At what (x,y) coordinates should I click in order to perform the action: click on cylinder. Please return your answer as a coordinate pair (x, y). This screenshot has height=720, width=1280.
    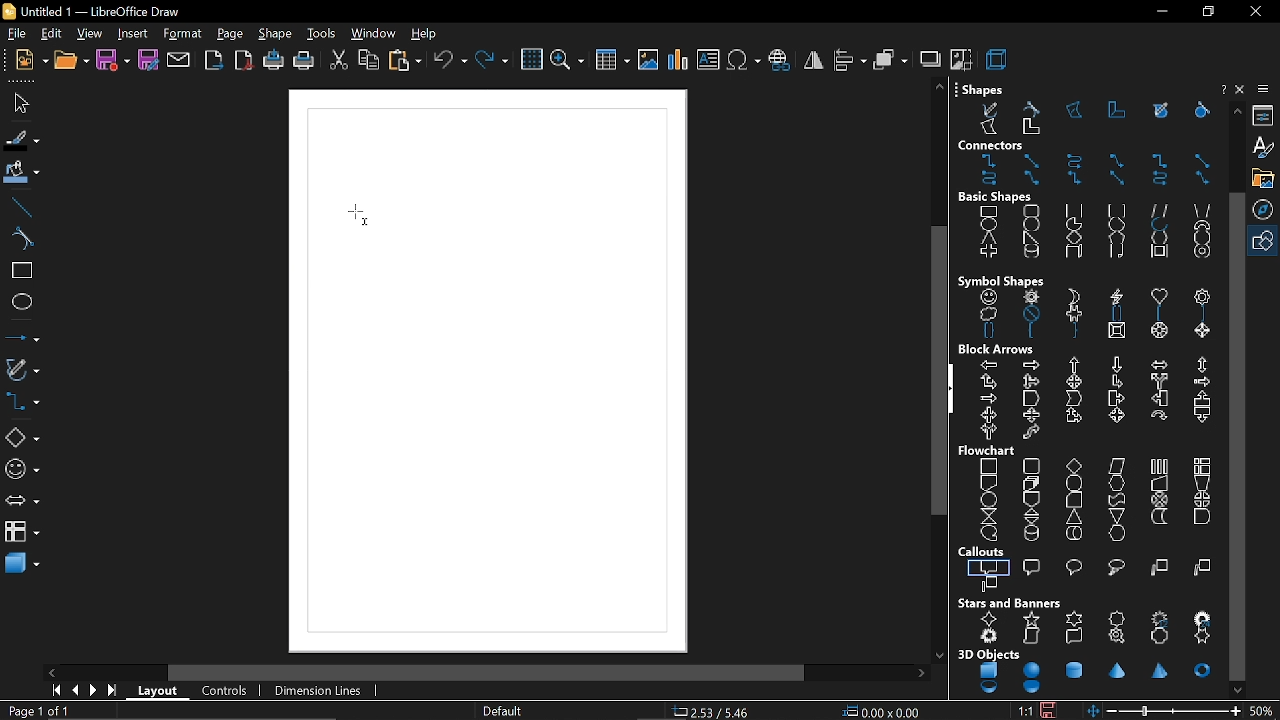
    Looking at the image, I should click on (1028, 253).